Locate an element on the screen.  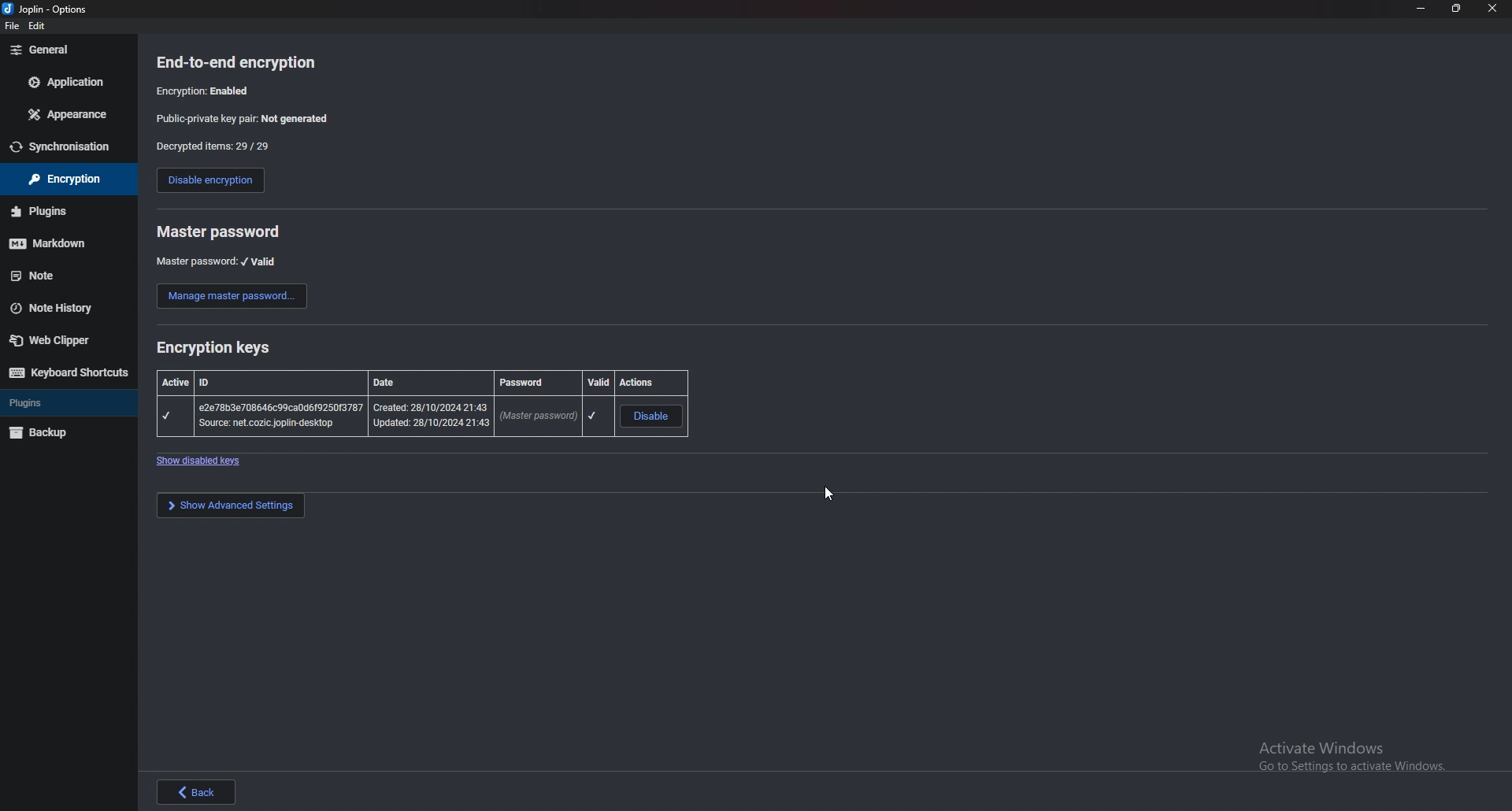
 is located at coordinates (66, 81).